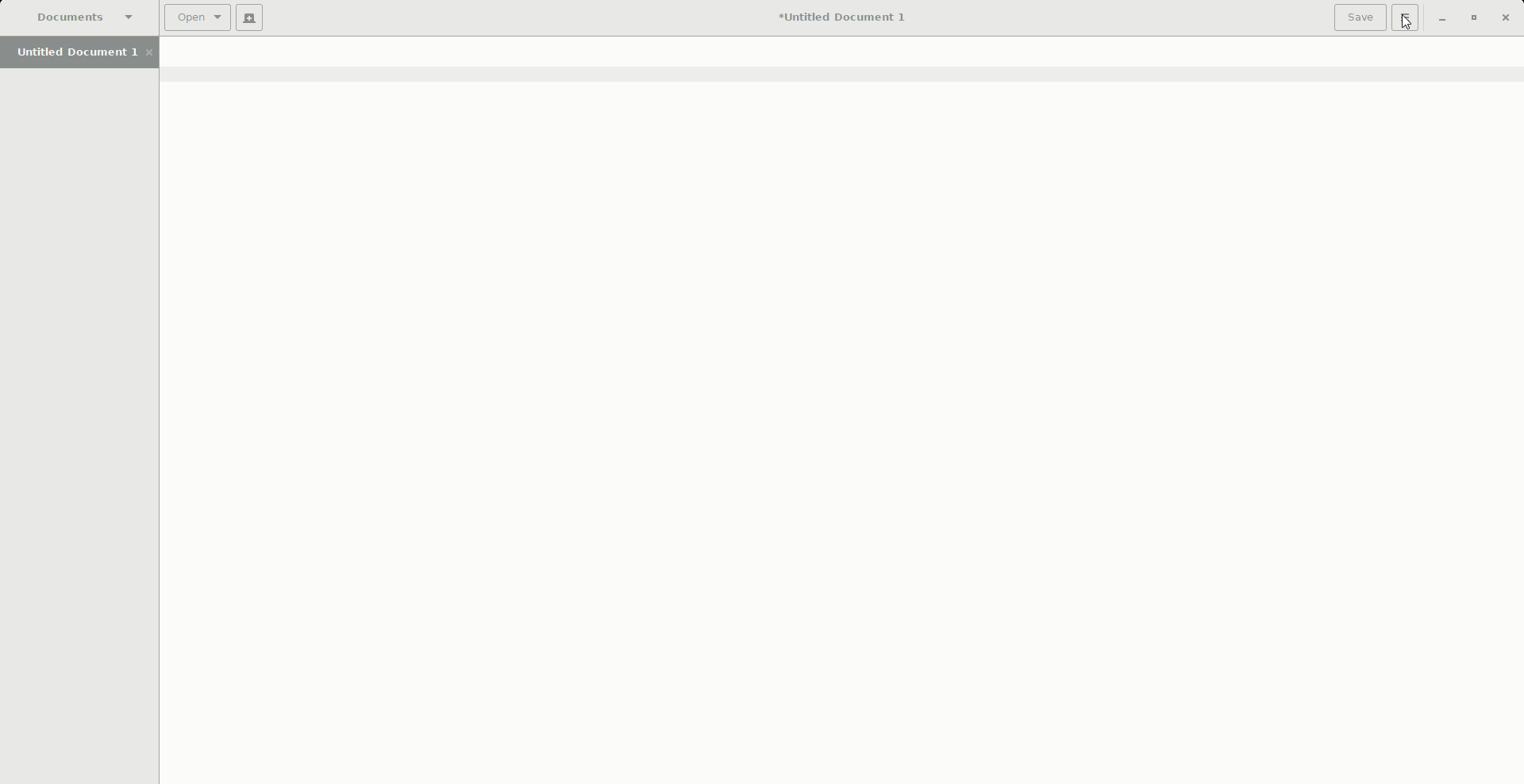 This screenshot has height=784, width=1524. Describe the element at coordinates (1506, 17) in the screenshot. I see `Close` at that location.